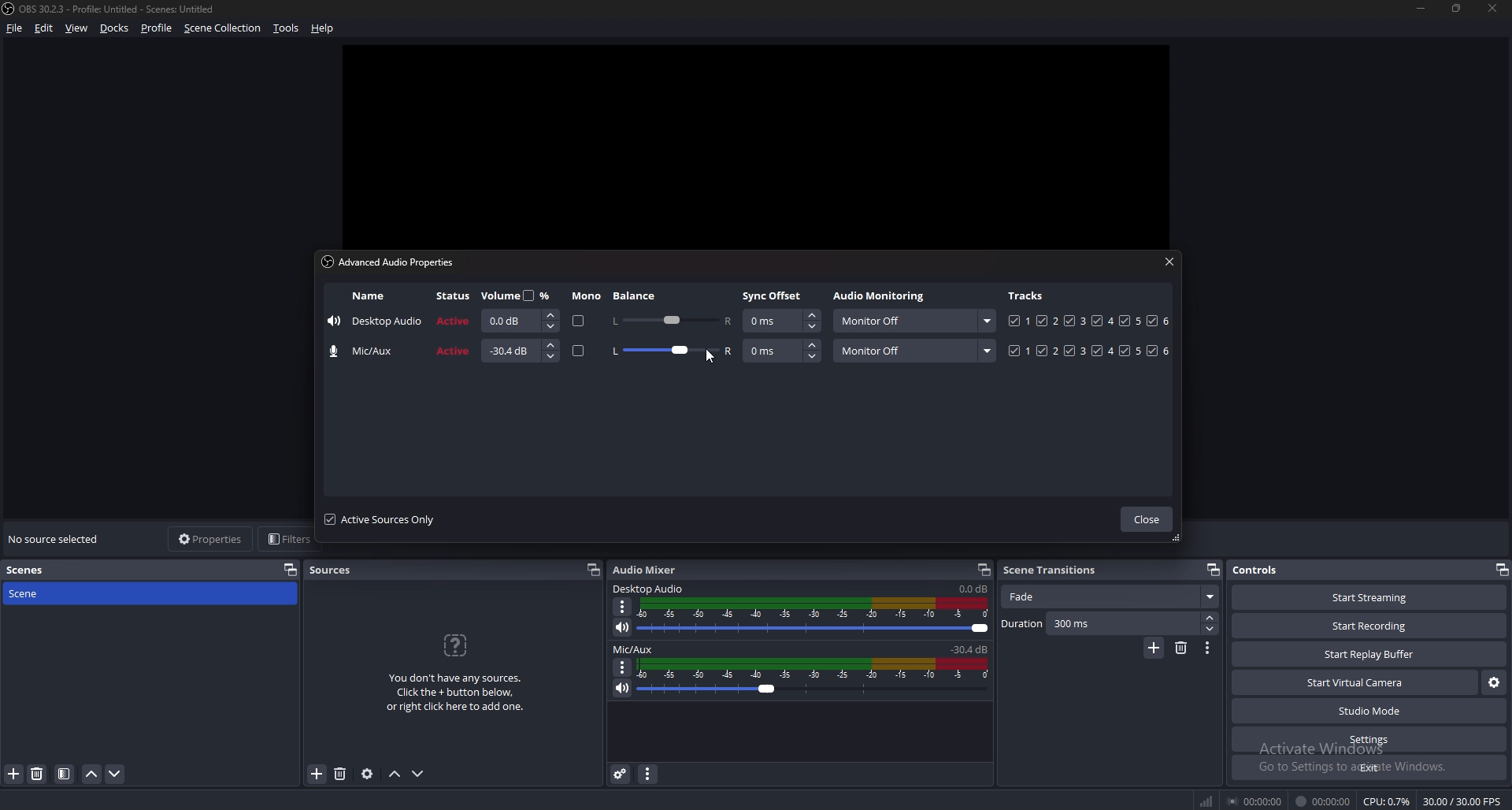 Image resolution: width=1512 pixels, height=810 pixels. What do you see at coordinates (78, 28) in the screenshot?
I see `view` at bounding box center [78, 28].